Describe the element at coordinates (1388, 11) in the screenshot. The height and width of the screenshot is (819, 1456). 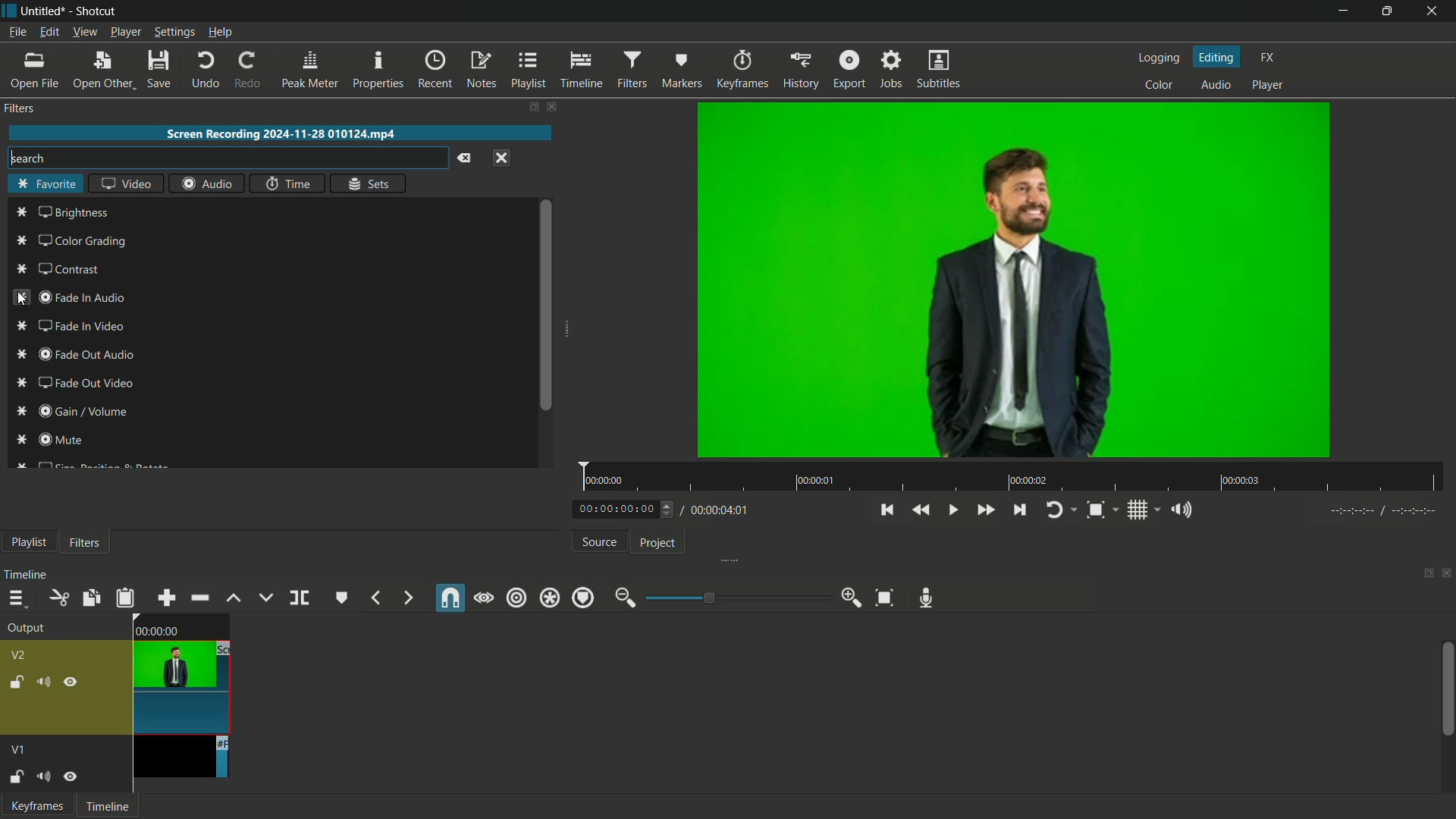
I see `Maximize` at that location.